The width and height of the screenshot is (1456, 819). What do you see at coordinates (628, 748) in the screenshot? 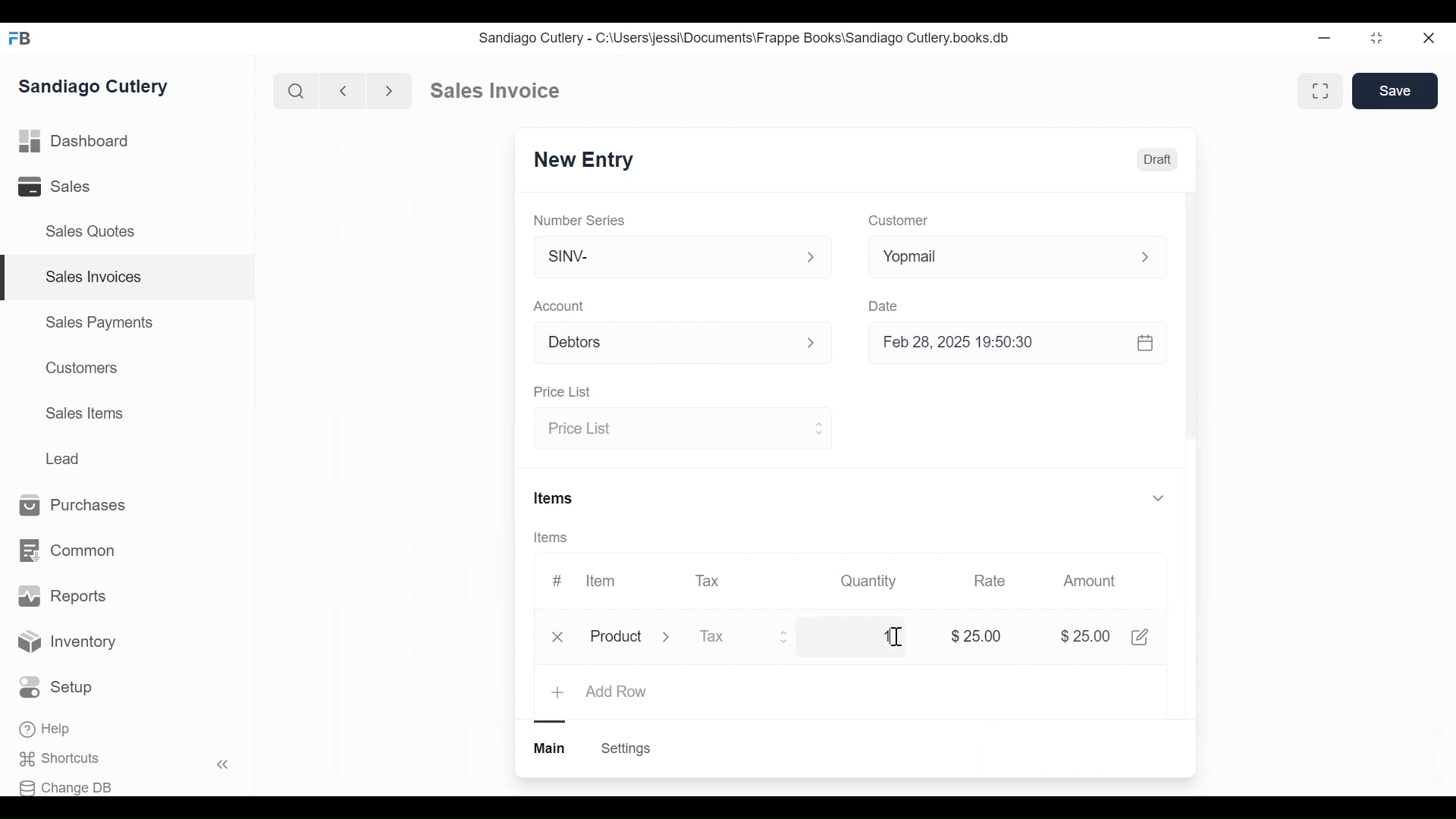
I see `Settings` at bounding box center [628, 748].